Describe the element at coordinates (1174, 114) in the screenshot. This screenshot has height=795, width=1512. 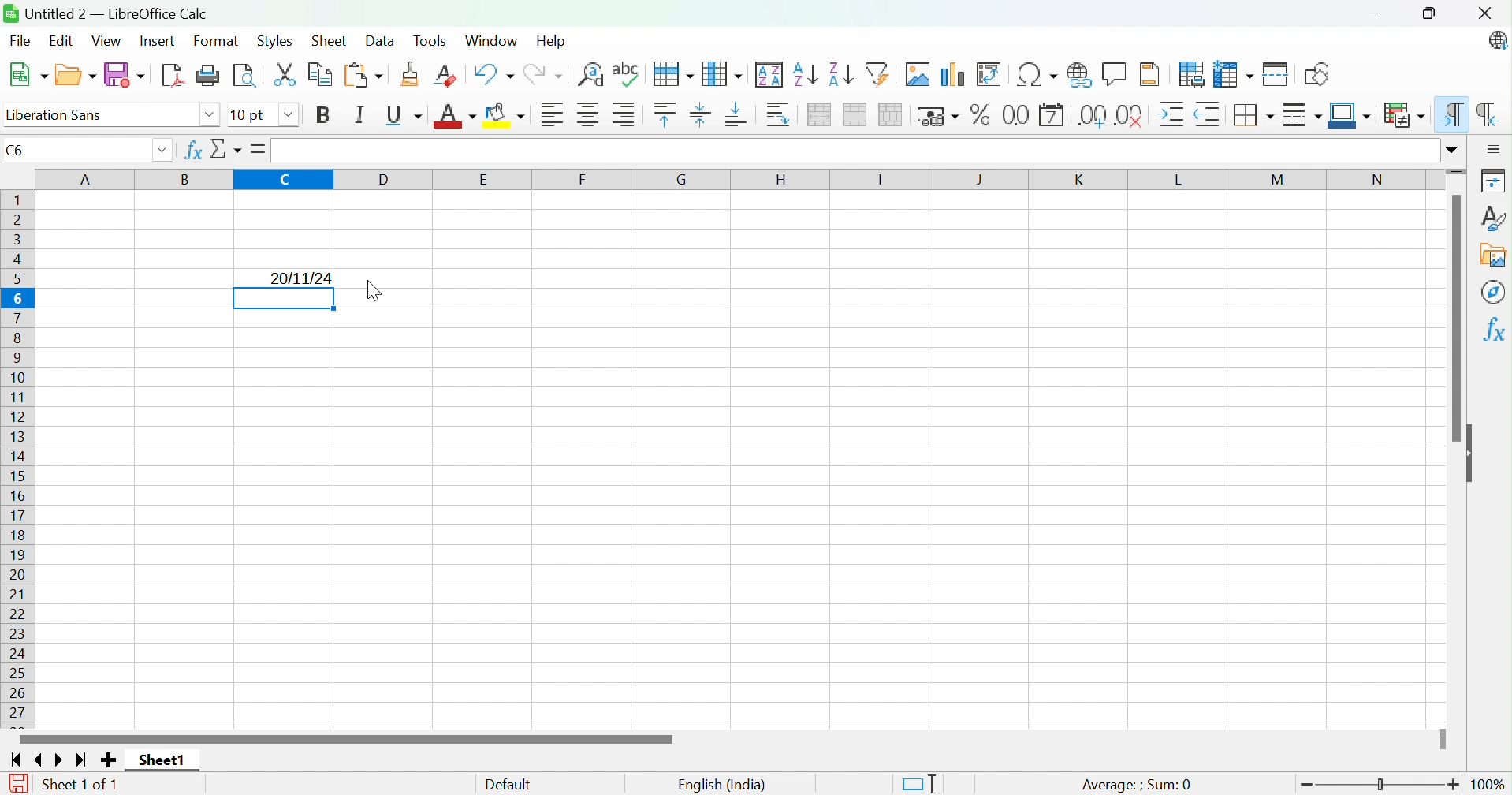
I see `Increase indent` at that location.